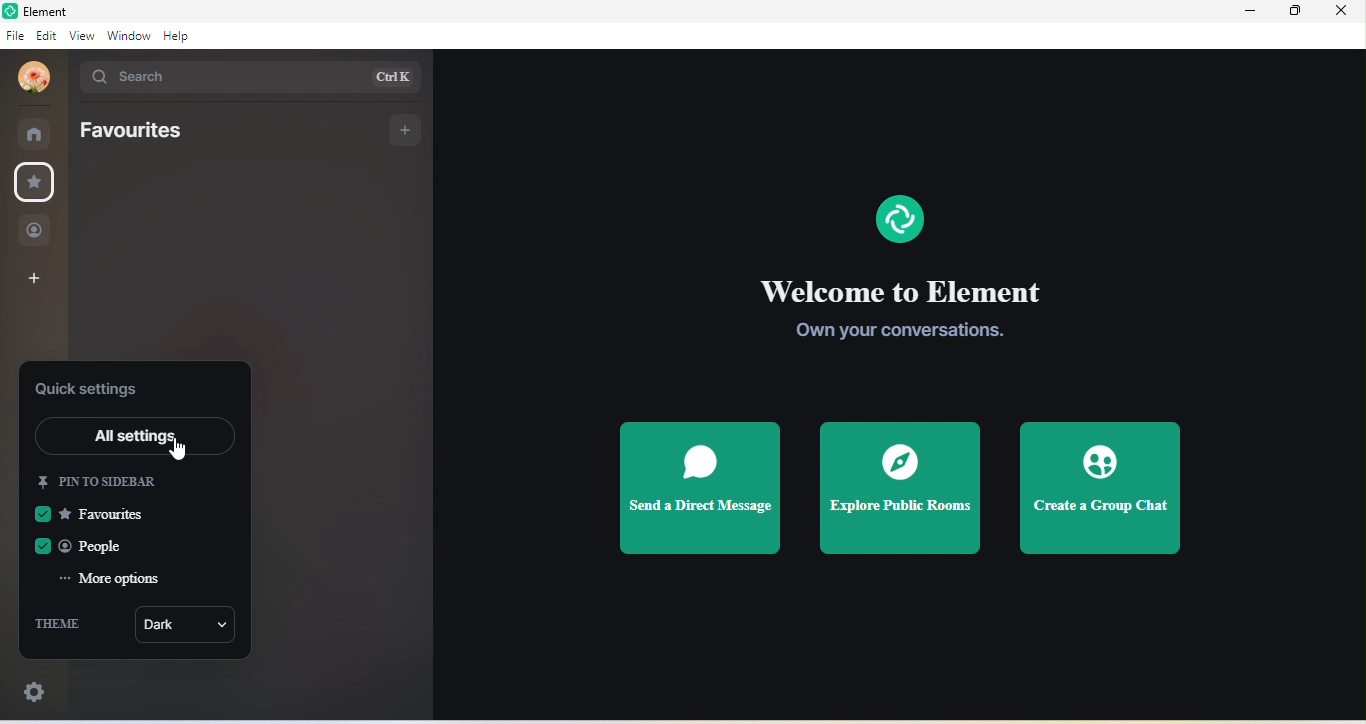 Image resolution: width=1366 pixels, height=724 pixels. I want to click on create a group chat, so click(1102, 487).